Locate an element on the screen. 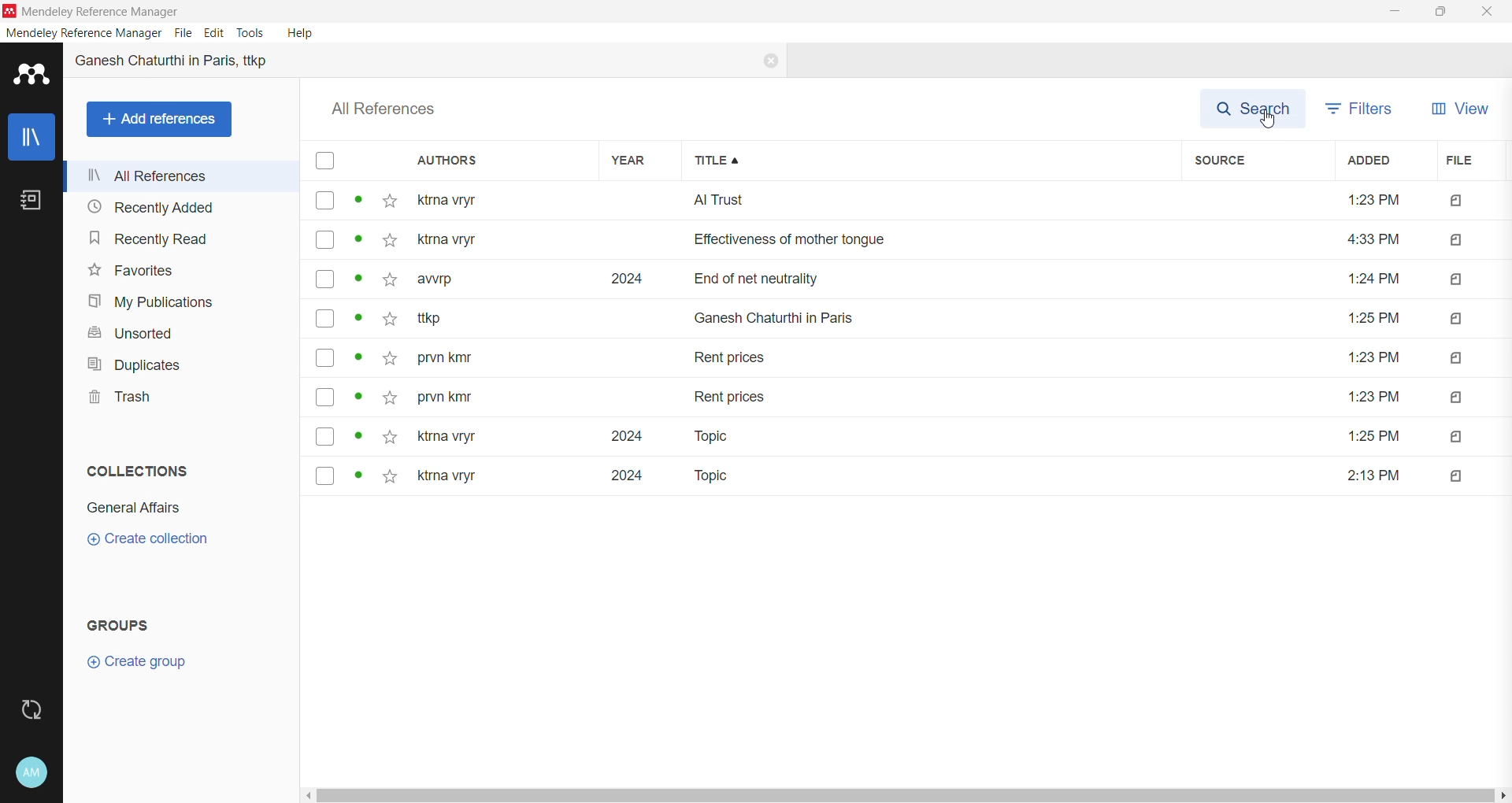 The width and height of the screenshot is (1512, 803). Restore Down is located at coordinates (1439, 13).